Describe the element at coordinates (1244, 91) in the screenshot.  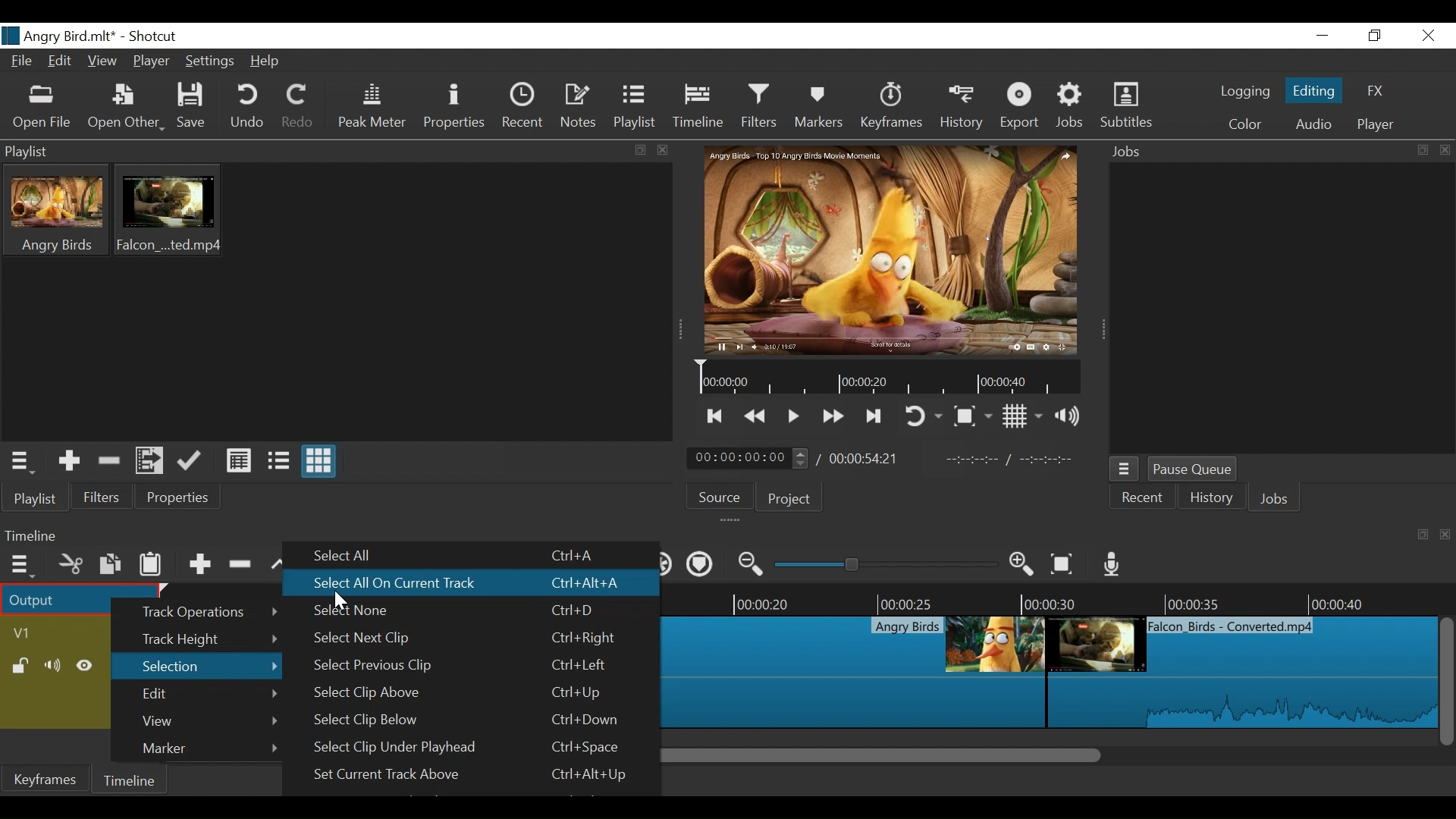
I see `logging` at that location.